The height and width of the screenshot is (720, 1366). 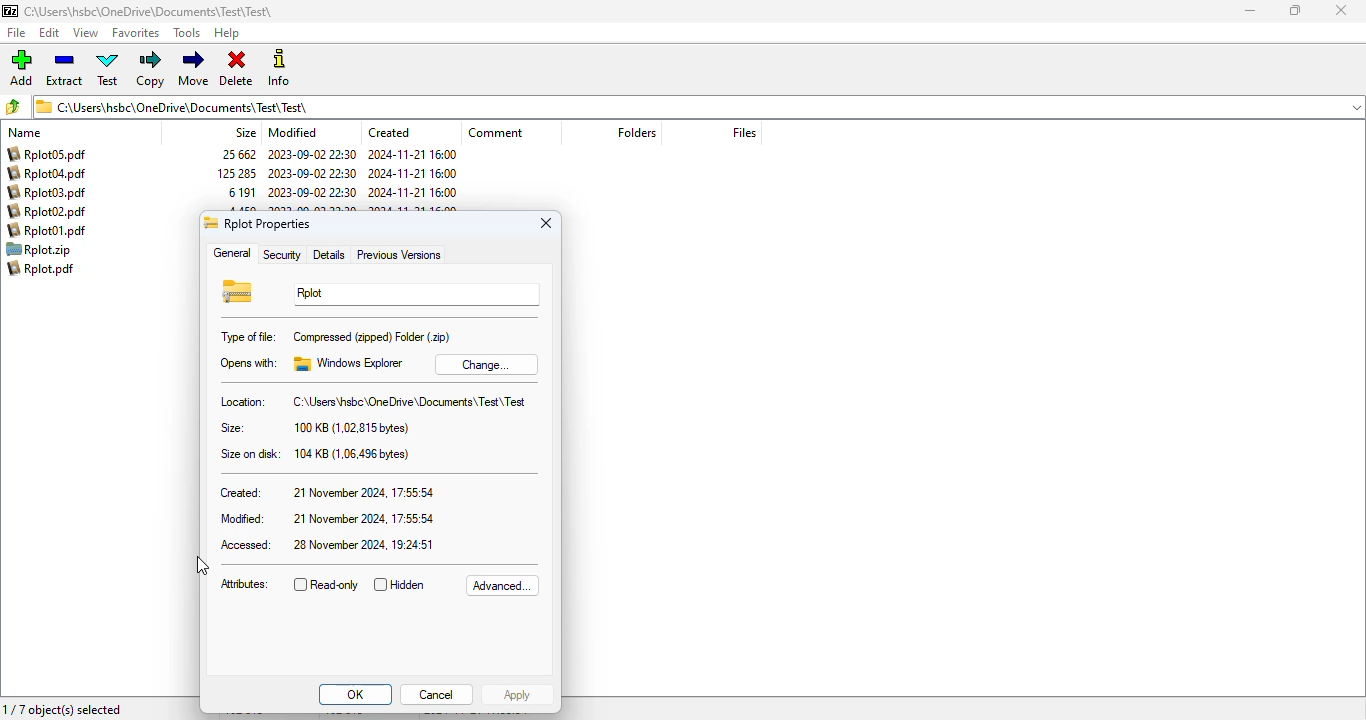 I want to click on edit, so click(x=50, y=33).